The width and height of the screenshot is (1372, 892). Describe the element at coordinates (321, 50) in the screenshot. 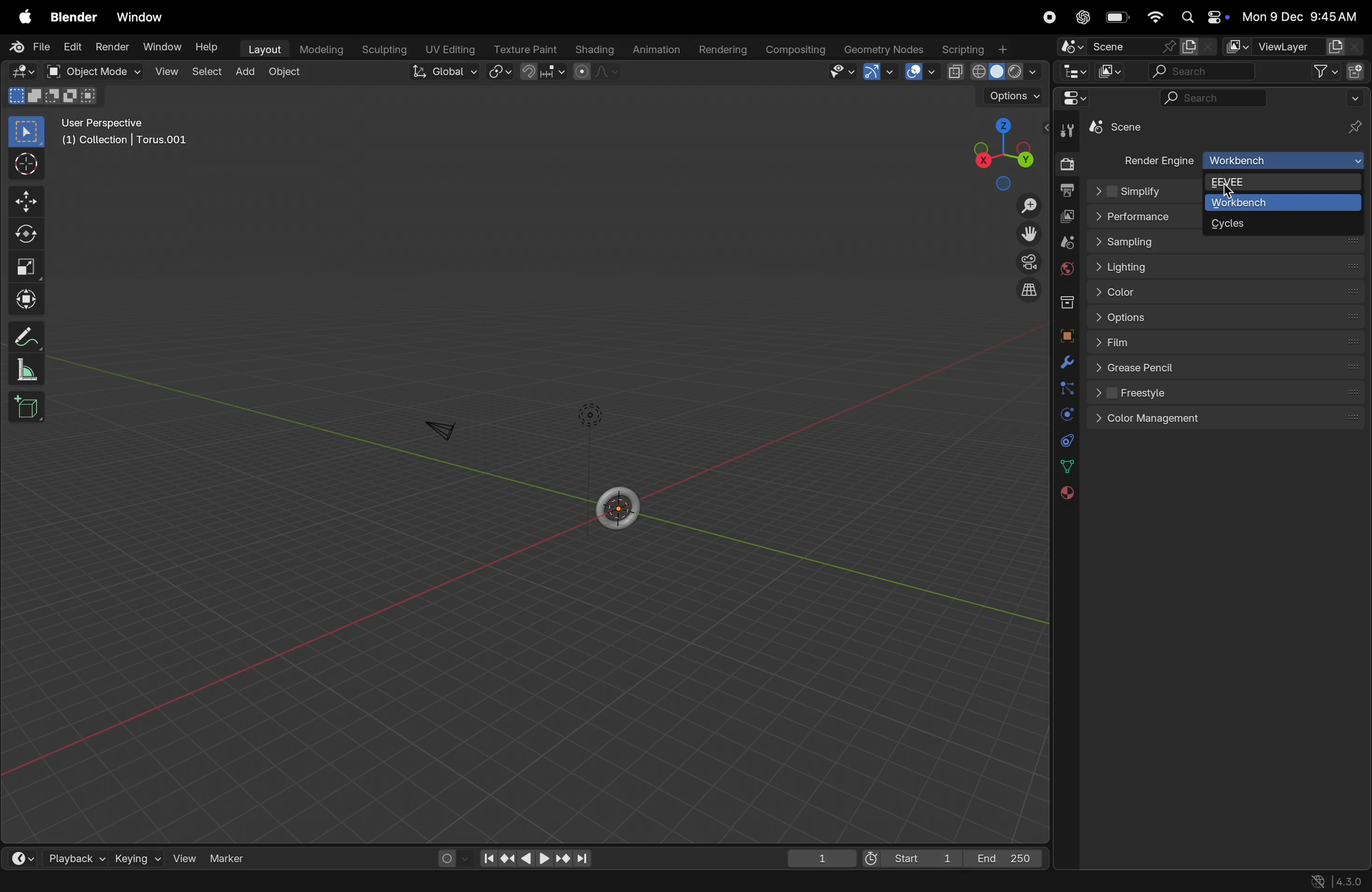

I see `modelling` at that location.